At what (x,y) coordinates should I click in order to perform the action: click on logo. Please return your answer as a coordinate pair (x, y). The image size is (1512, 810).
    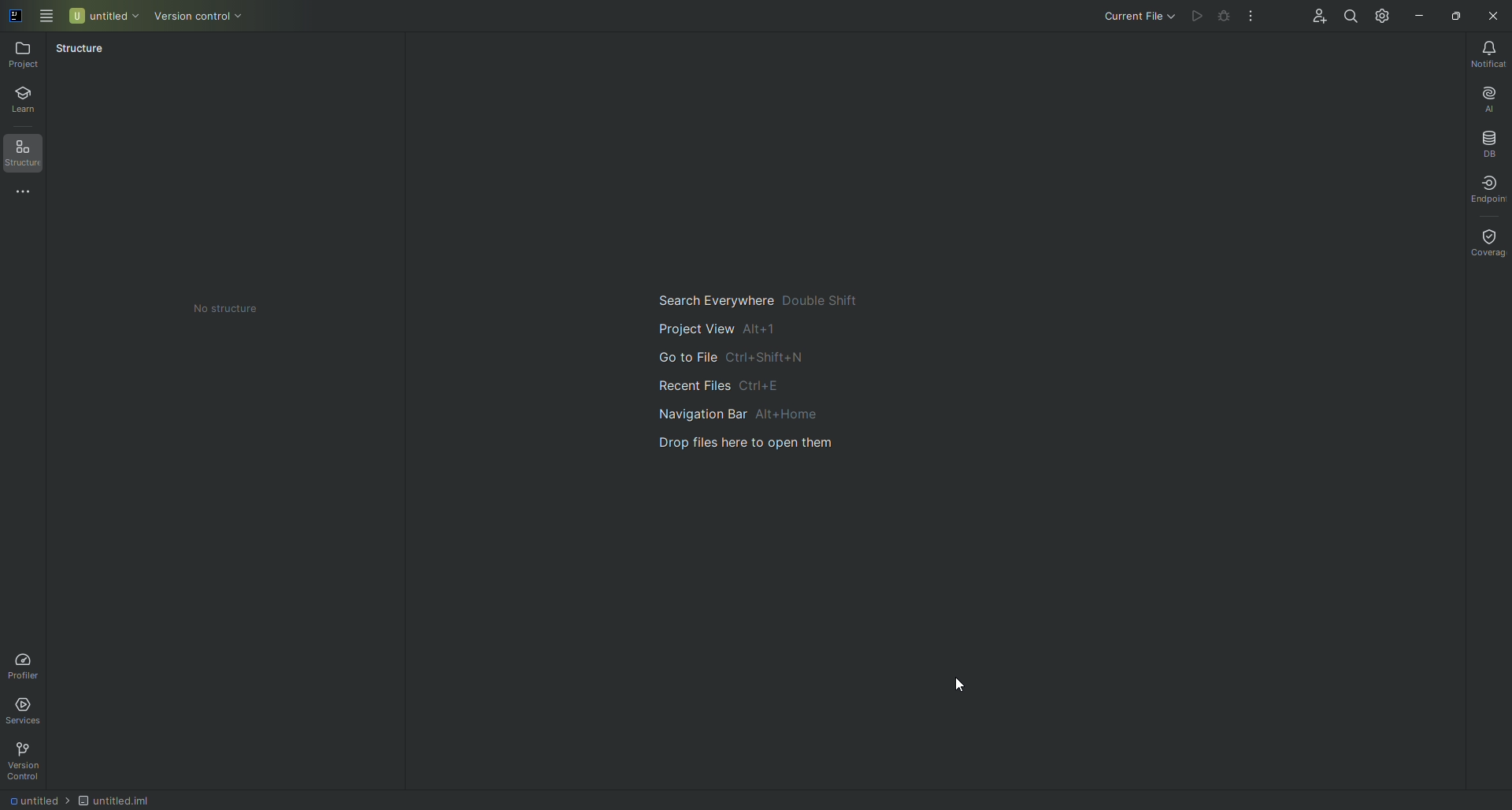
    Looking at the image, I should click on (16, 17).